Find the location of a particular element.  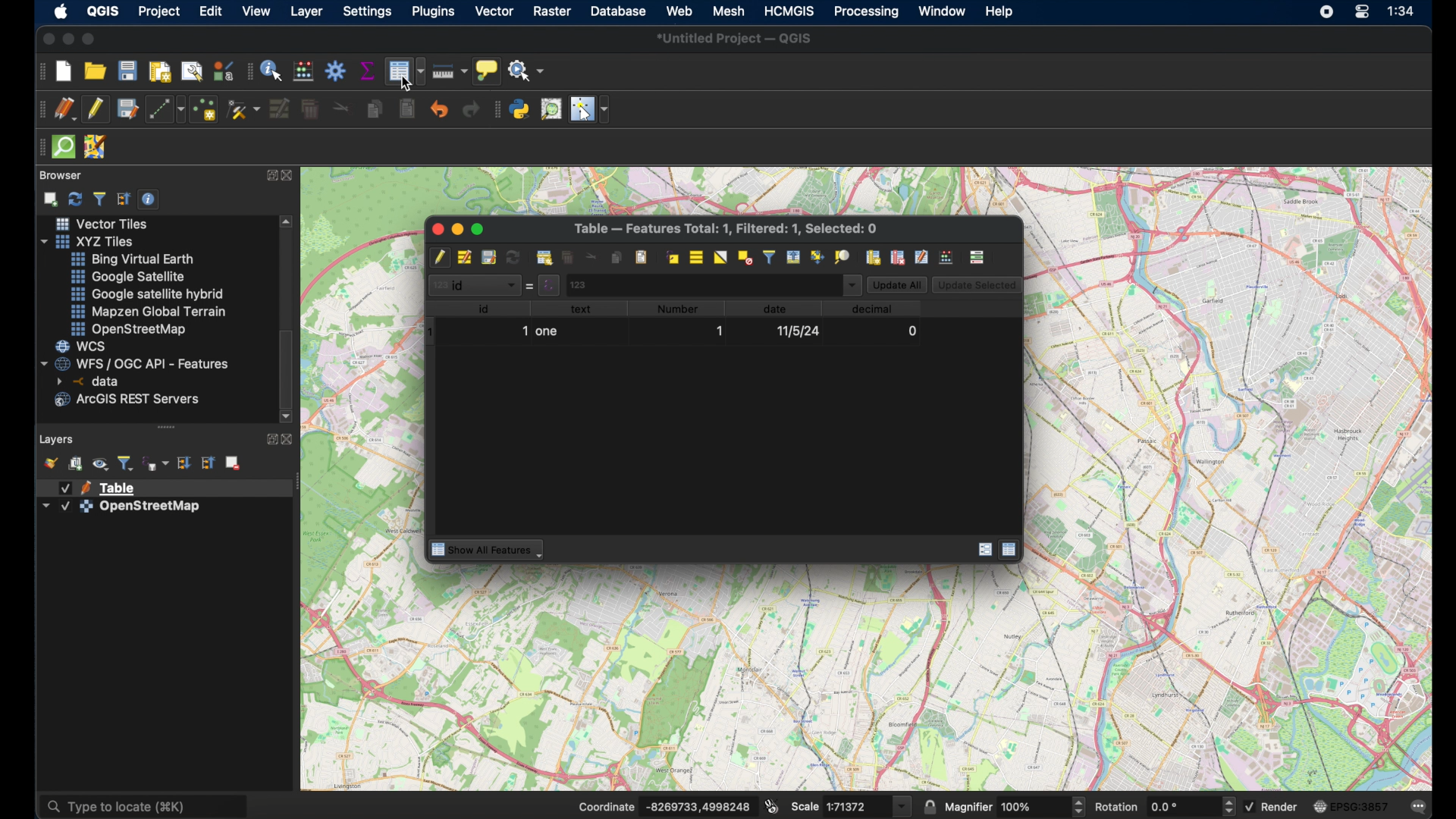

toggle editing mode is located at coordinates (438, 255).